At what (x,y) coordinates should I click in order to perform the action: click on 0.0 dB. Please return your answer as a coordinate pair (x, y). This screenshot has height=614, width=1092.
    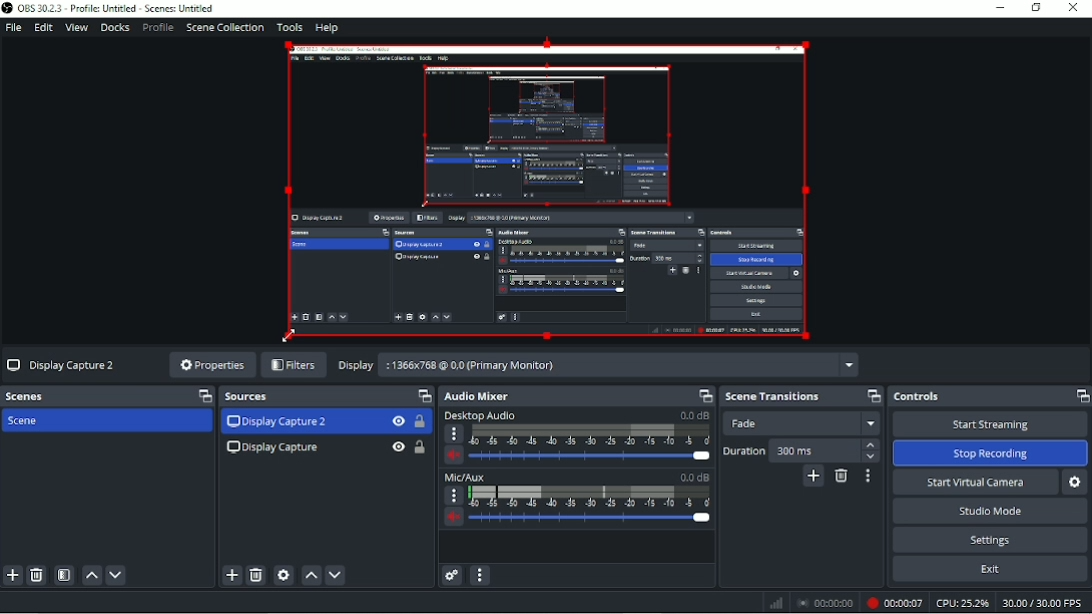
    Looking at the image, I should click on (693, 477).